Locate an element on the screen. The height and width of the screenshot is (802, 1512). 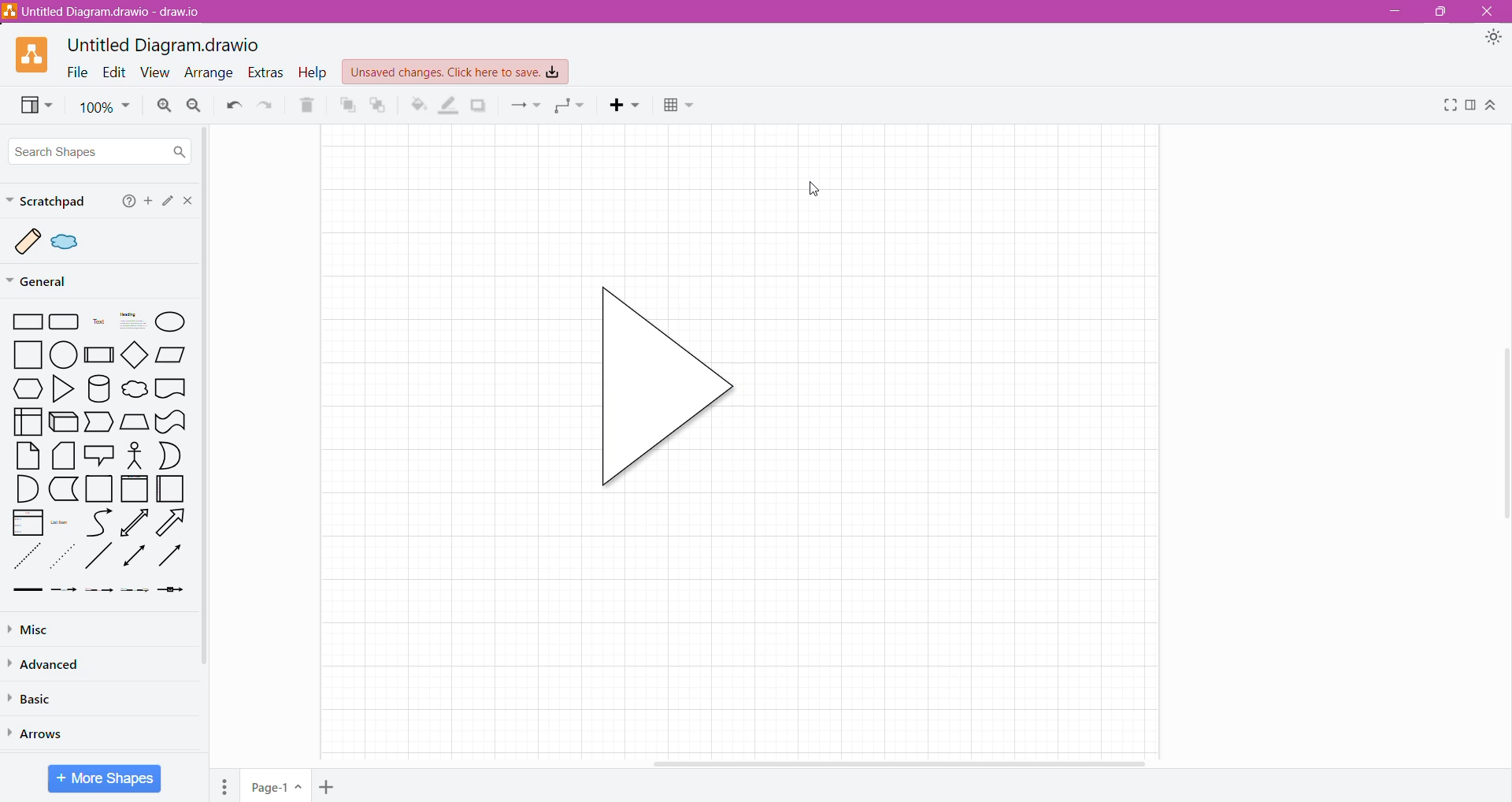
Scratched shape 2 is located at coordinates (72, 243).